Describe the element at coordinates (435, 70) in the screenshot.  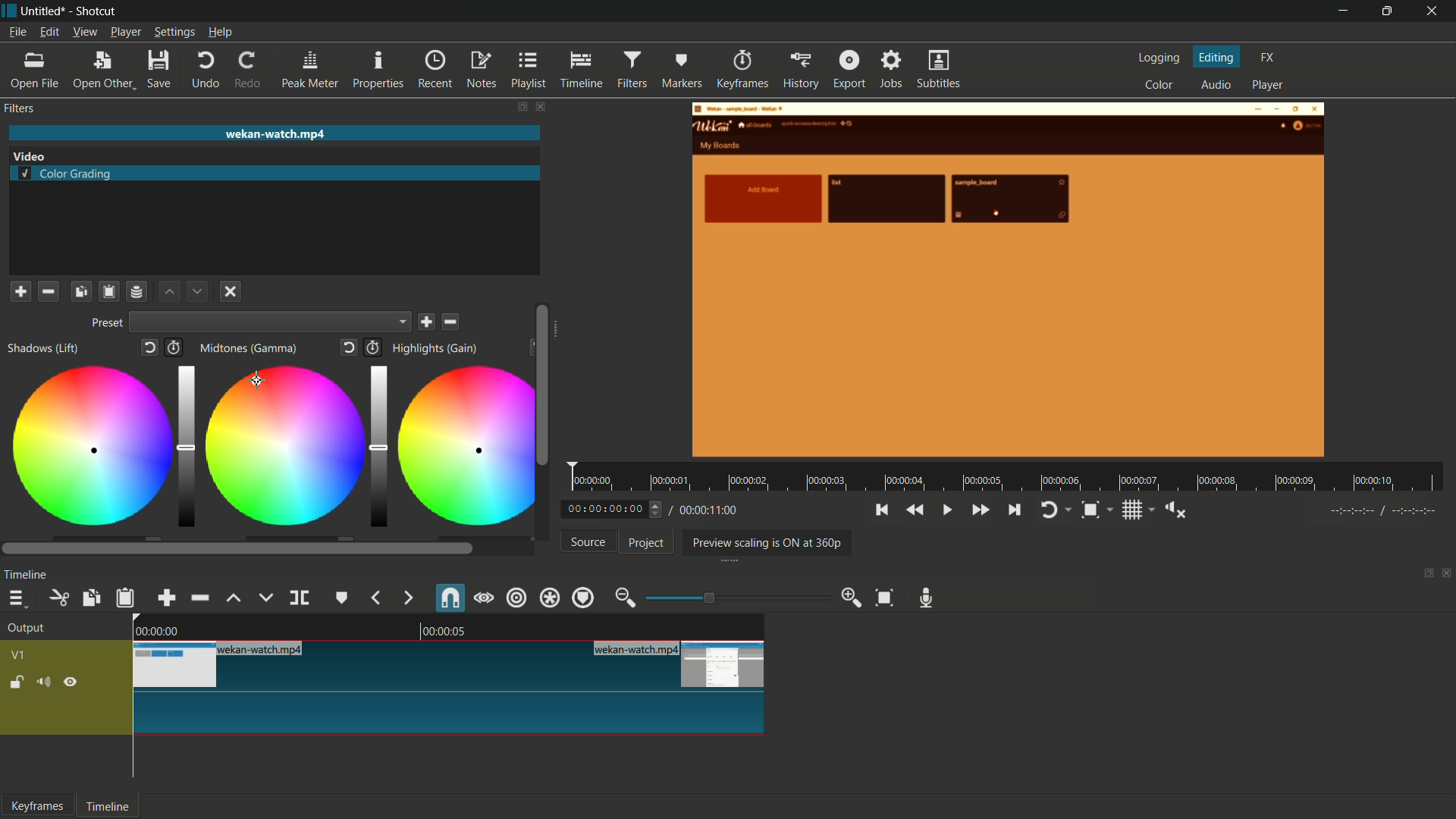
I see `recent` at that location.